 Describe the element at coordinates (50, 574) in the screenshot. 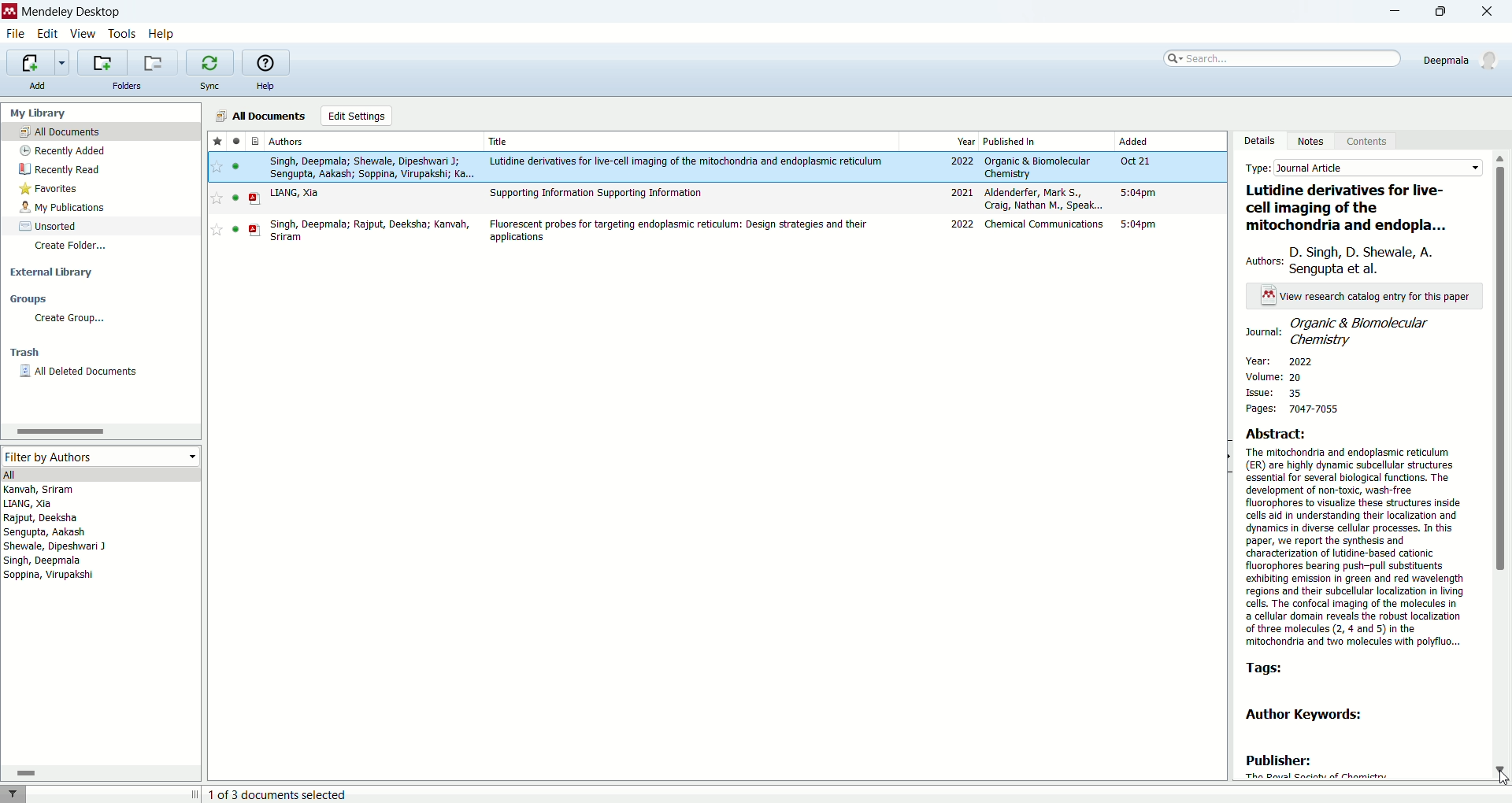

I see `soppina, virupakshi` at that location.